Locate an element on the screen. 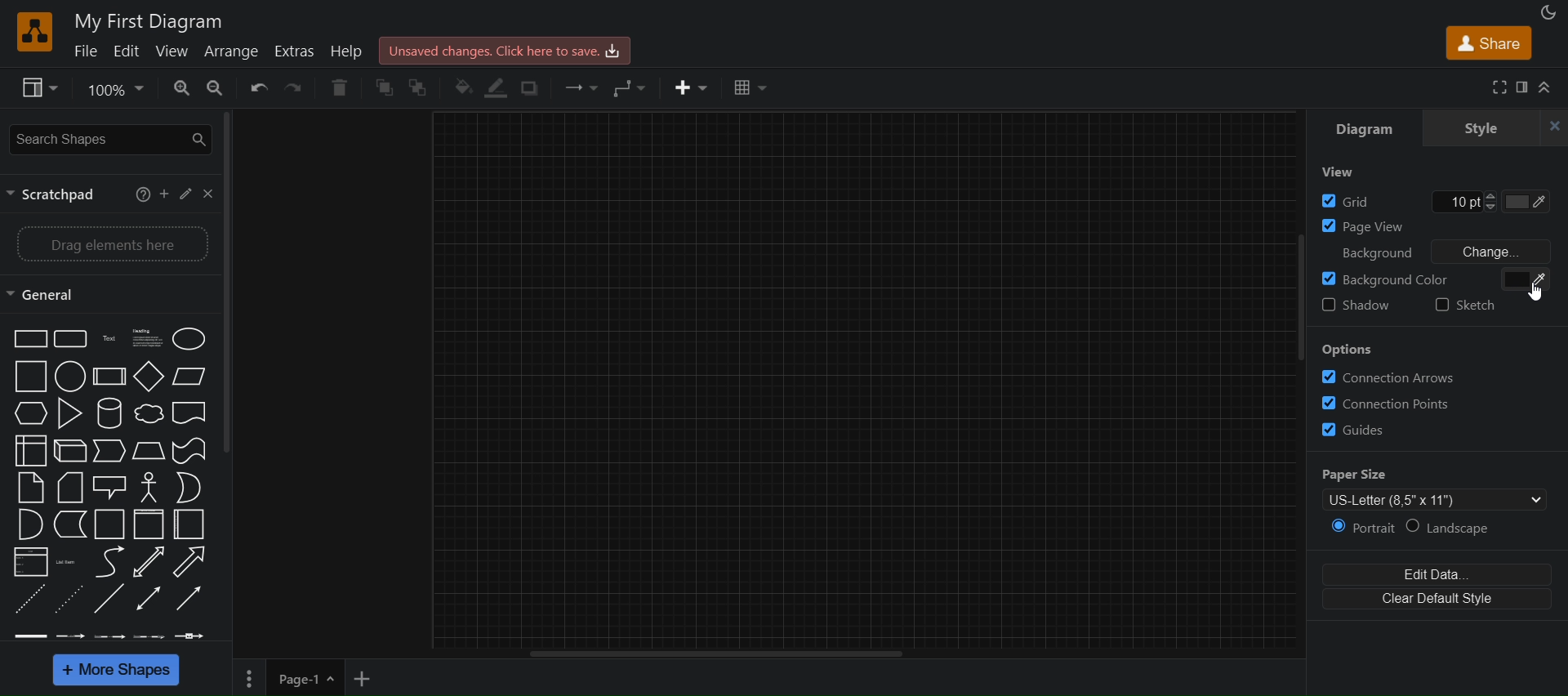 Image resolution: width=1568 pixels, height=696 pixels. share is located at coordinates (1486, 44).